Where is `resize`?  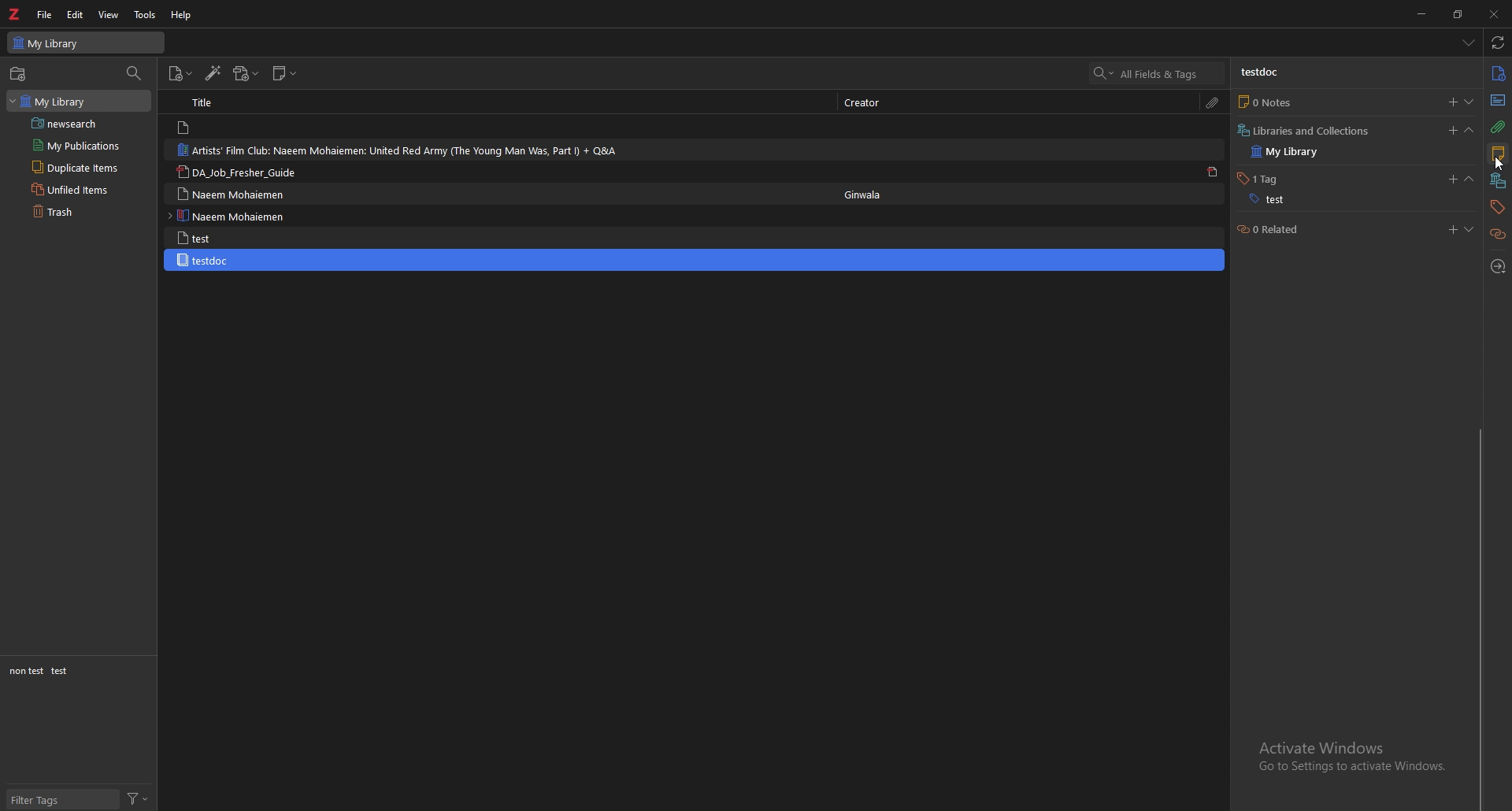
resize is located at coordinates (1457, 14).